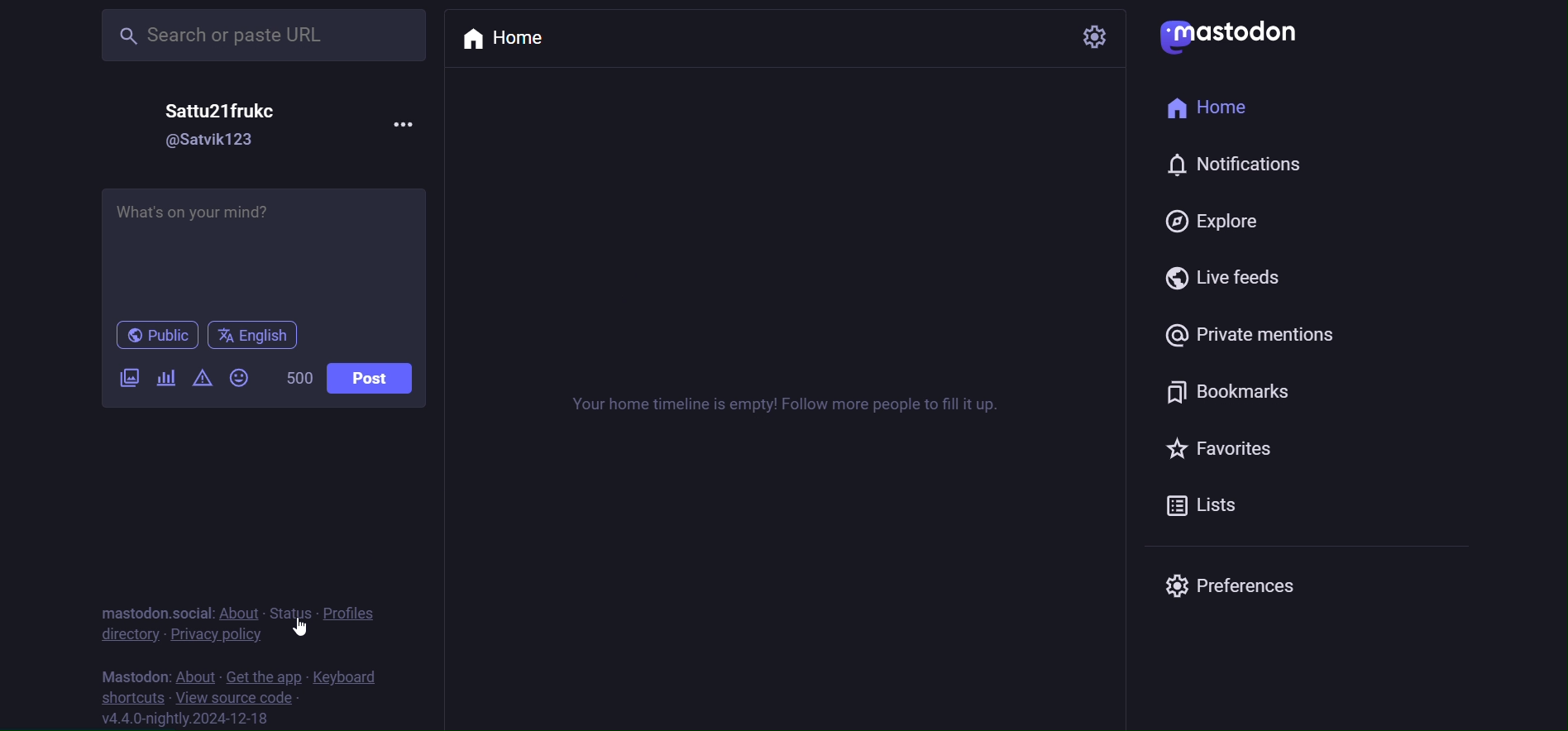 The width and height of the screenshot is (1568, 731). What do you see at coordinates (1233, 589) in the screenshot?
I see `Preferences` at bounding box center [1233, 589].